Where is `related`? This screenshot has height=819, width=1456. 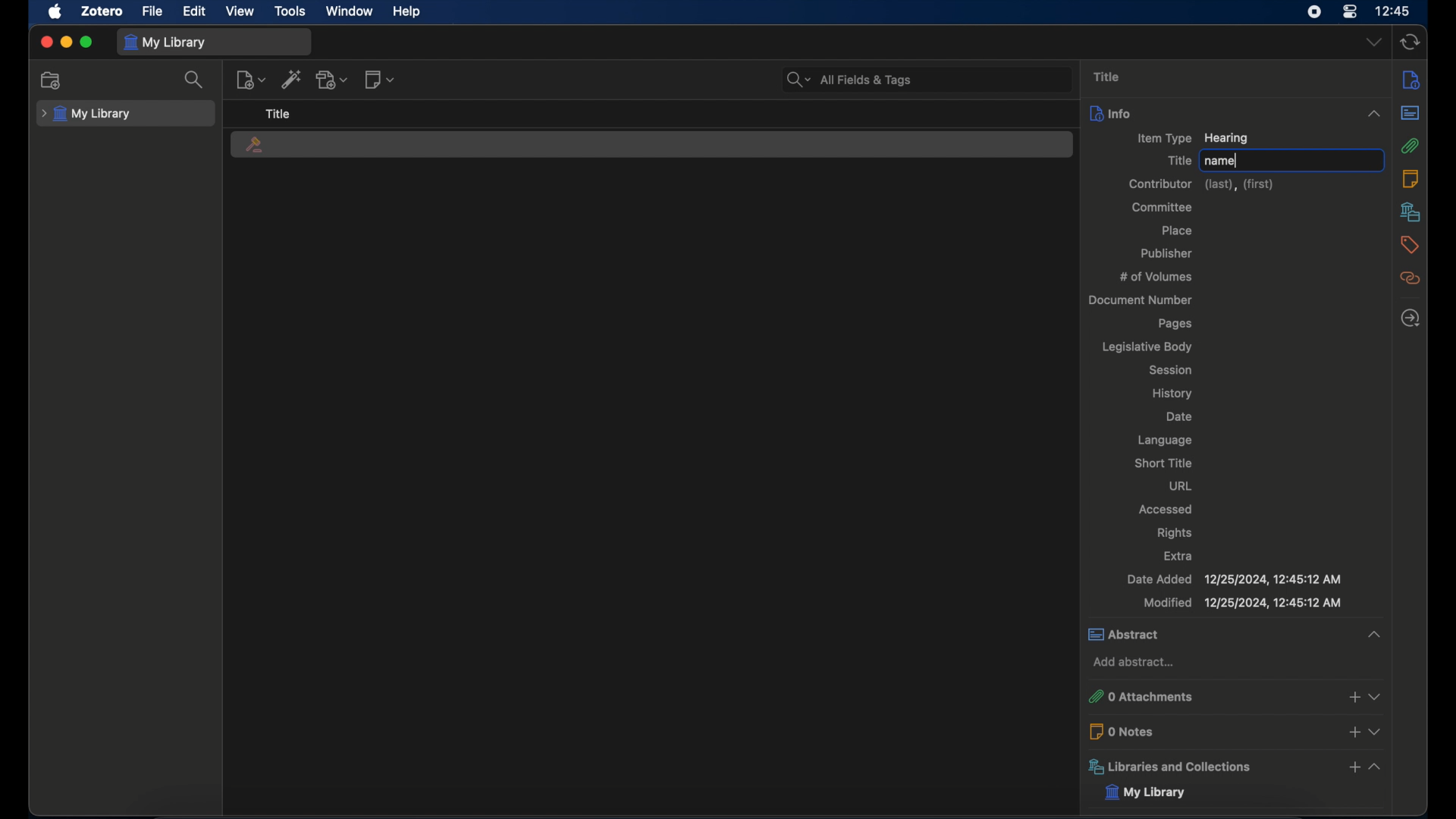
related is located at coordinates (1410, 278).